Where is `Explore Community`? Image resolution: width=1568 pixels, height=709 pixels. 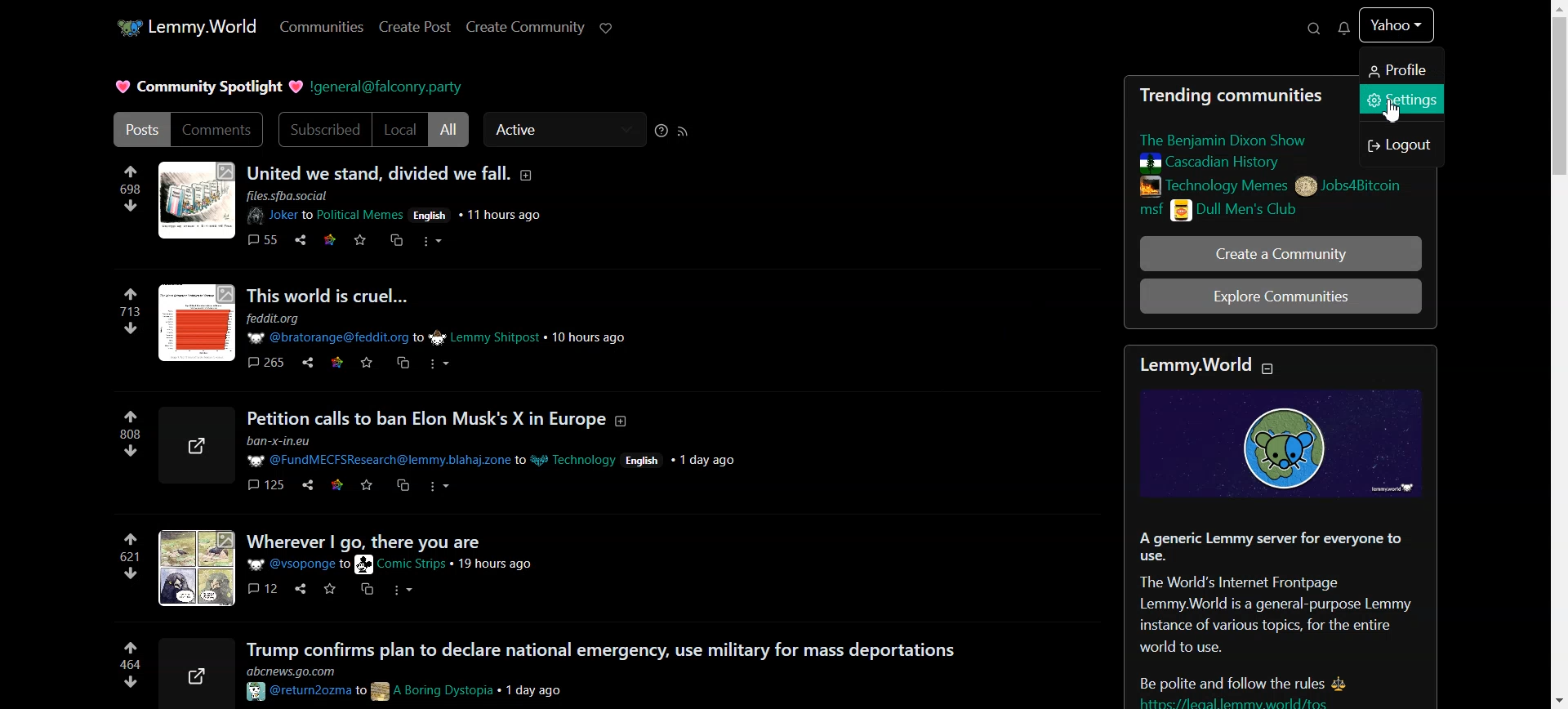 Explore Community is located at coordinates (1277, 297).